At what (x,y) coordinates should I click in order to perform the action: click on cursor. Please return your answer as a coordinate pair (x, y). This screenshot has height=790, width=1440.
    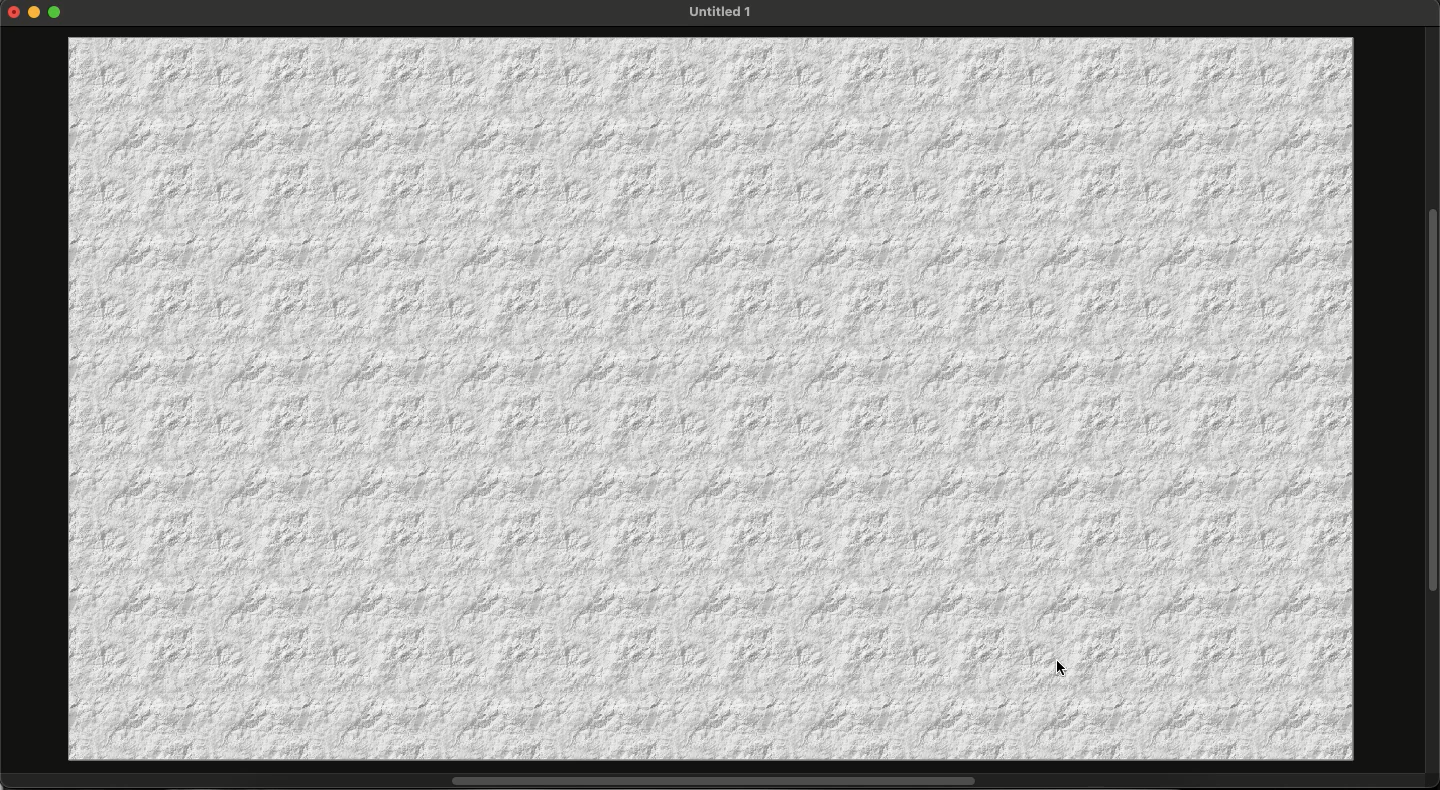
    Looking at the image, I should click on (1061, 669).